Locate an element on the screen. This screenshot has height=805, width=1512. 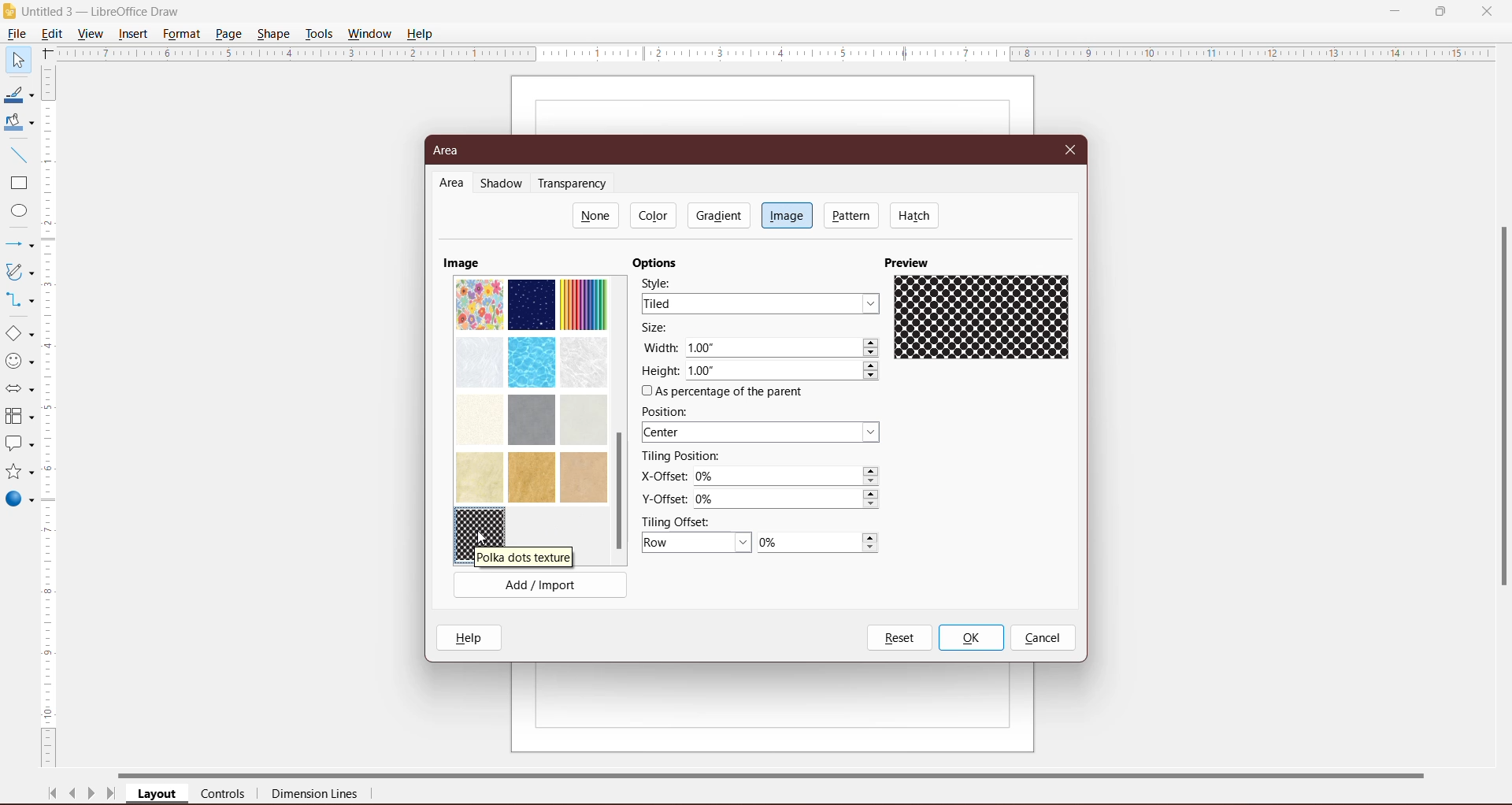
Edit is located at coordinates (55, 32).